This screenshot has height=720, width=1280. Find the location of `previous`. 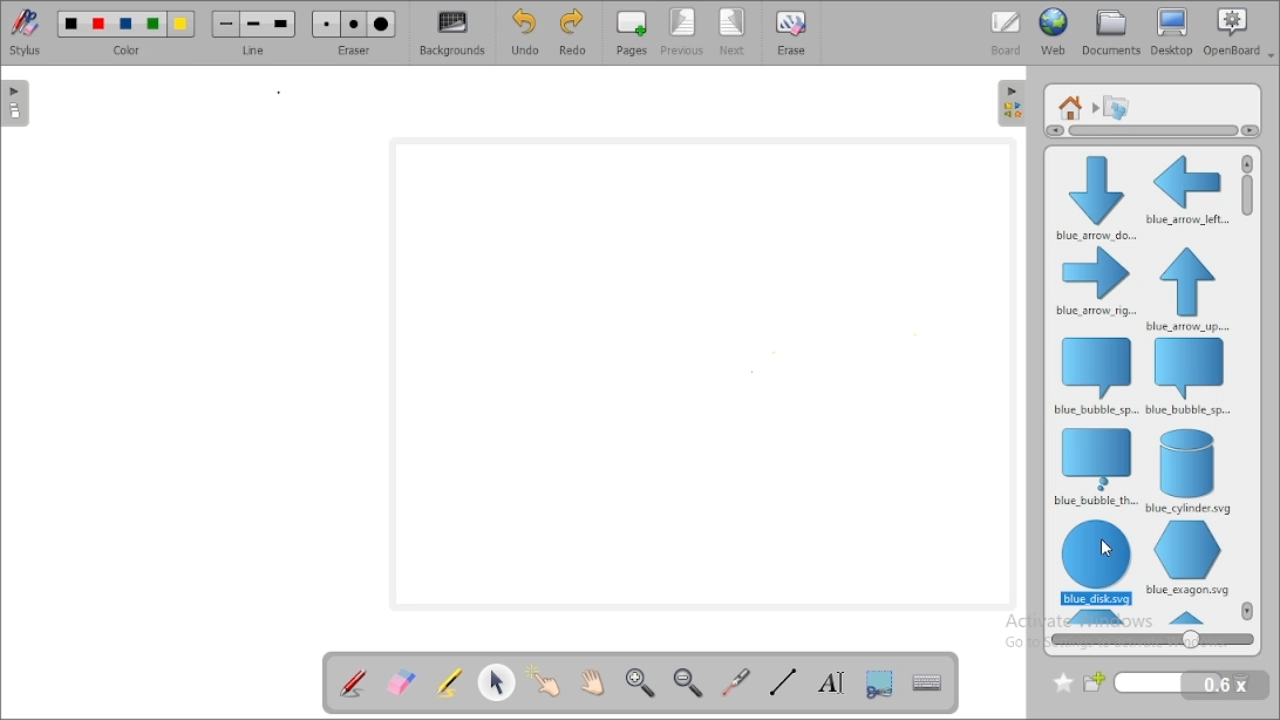

previous is located at coordinates (683, 33).